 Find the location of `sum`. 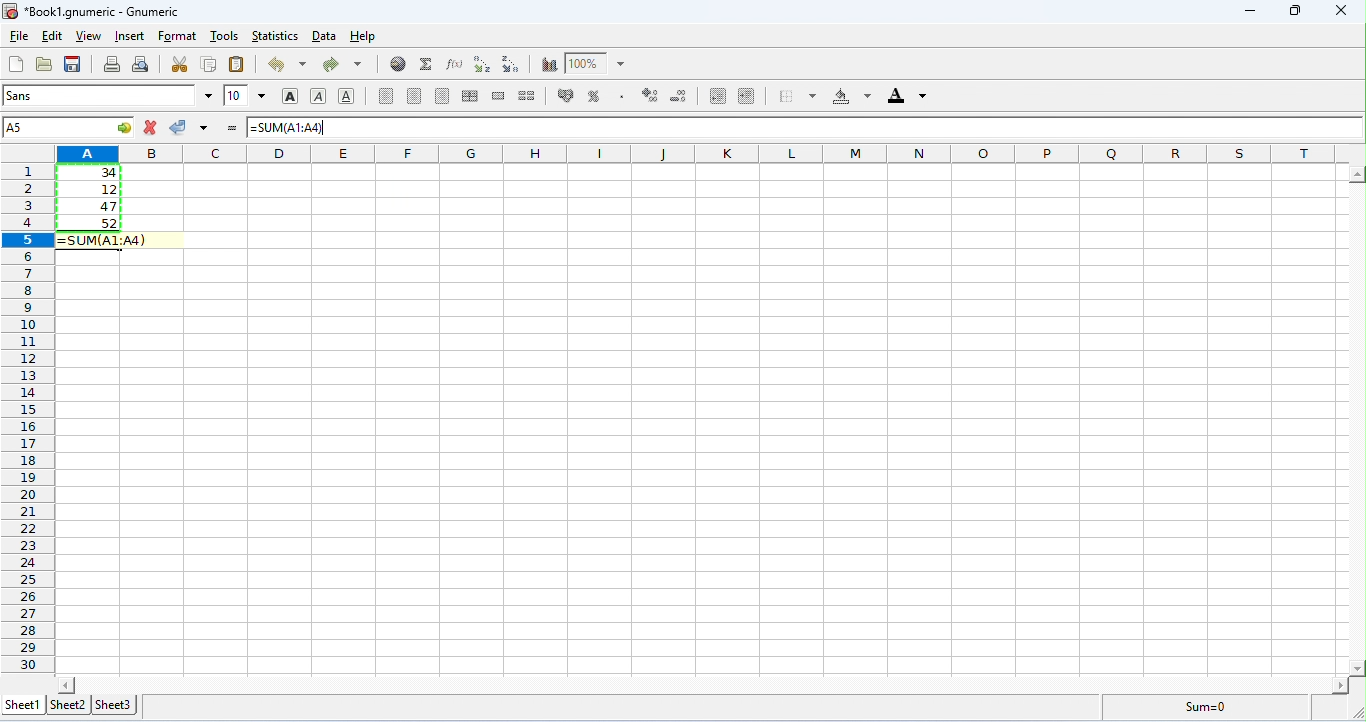

sum is located at coordinates (427, 64).